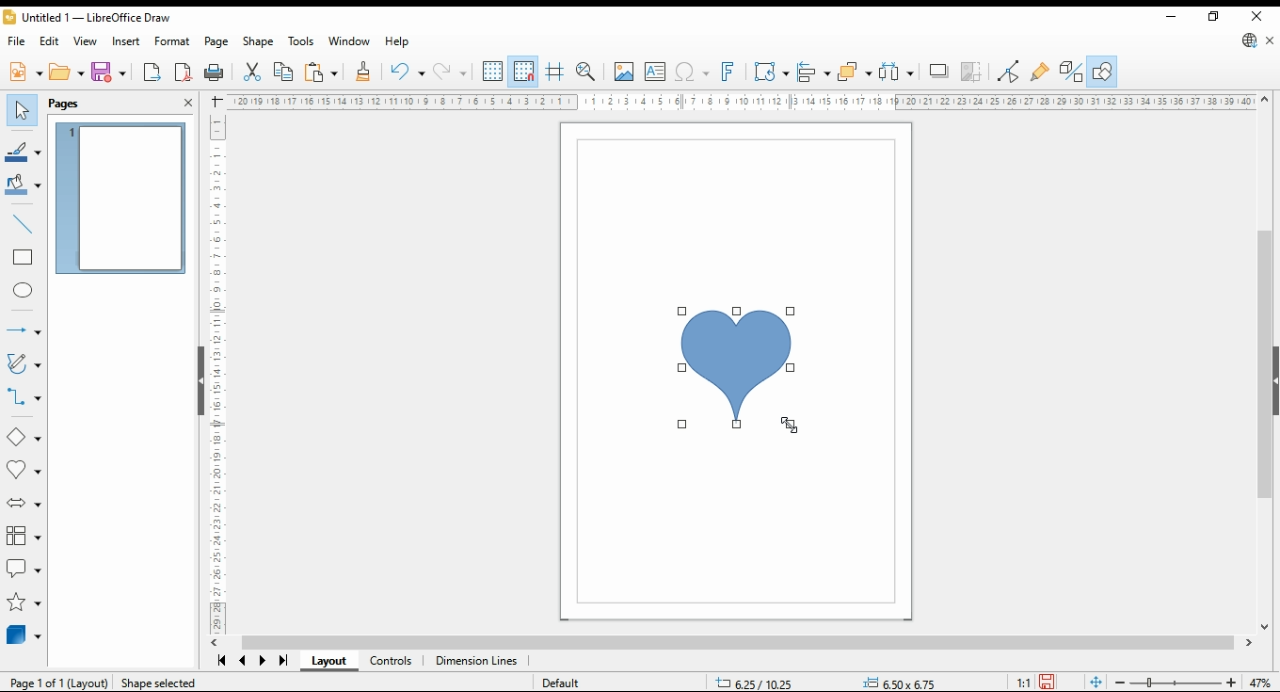  What do you see at coordinates (730, 72) in the screenshot?
I see `insert fontworks text` at bounding box center [730, 72].